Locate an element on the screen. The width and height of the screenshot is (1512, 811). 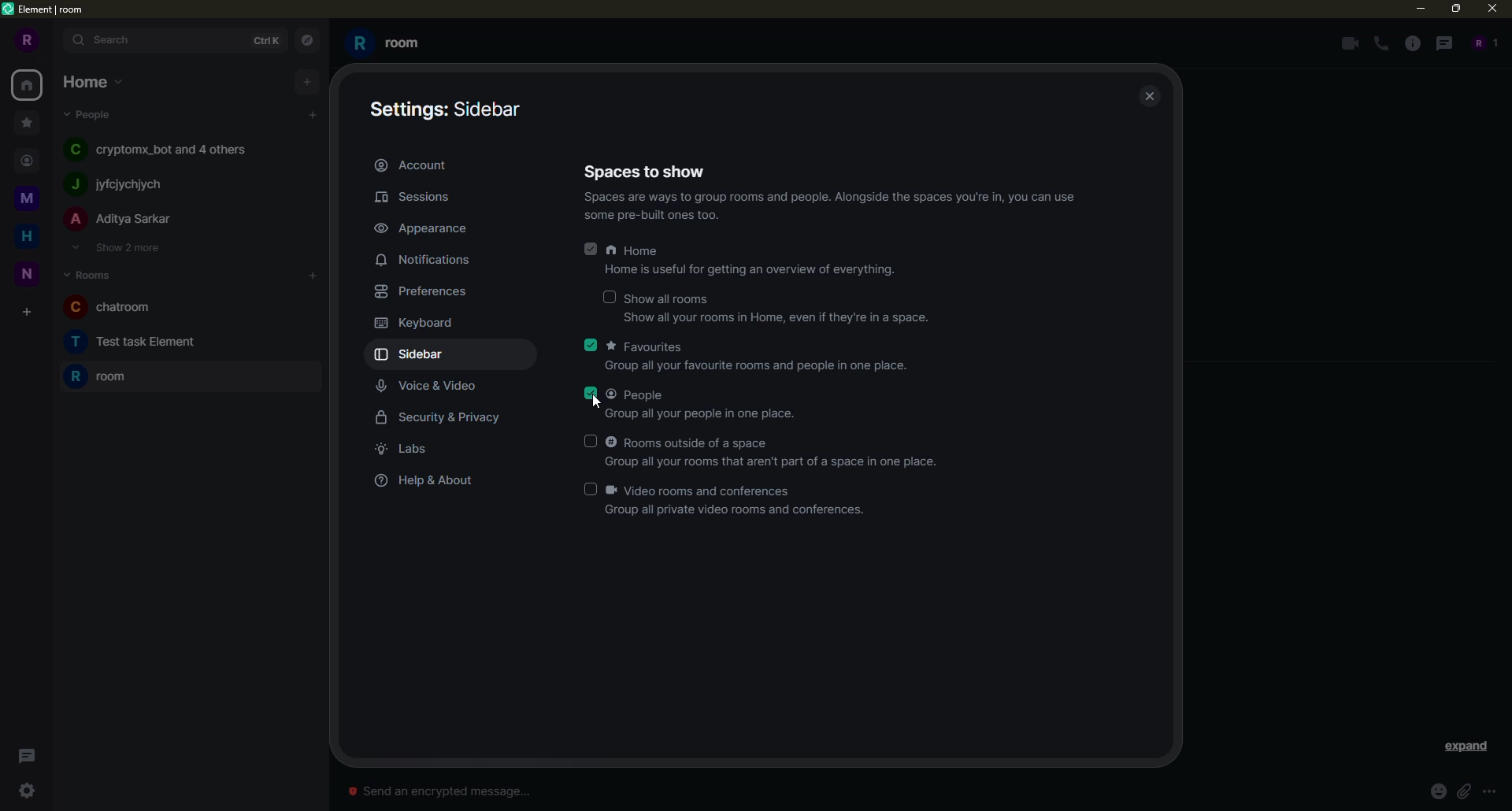
info is located at coordinates (1414, 43).